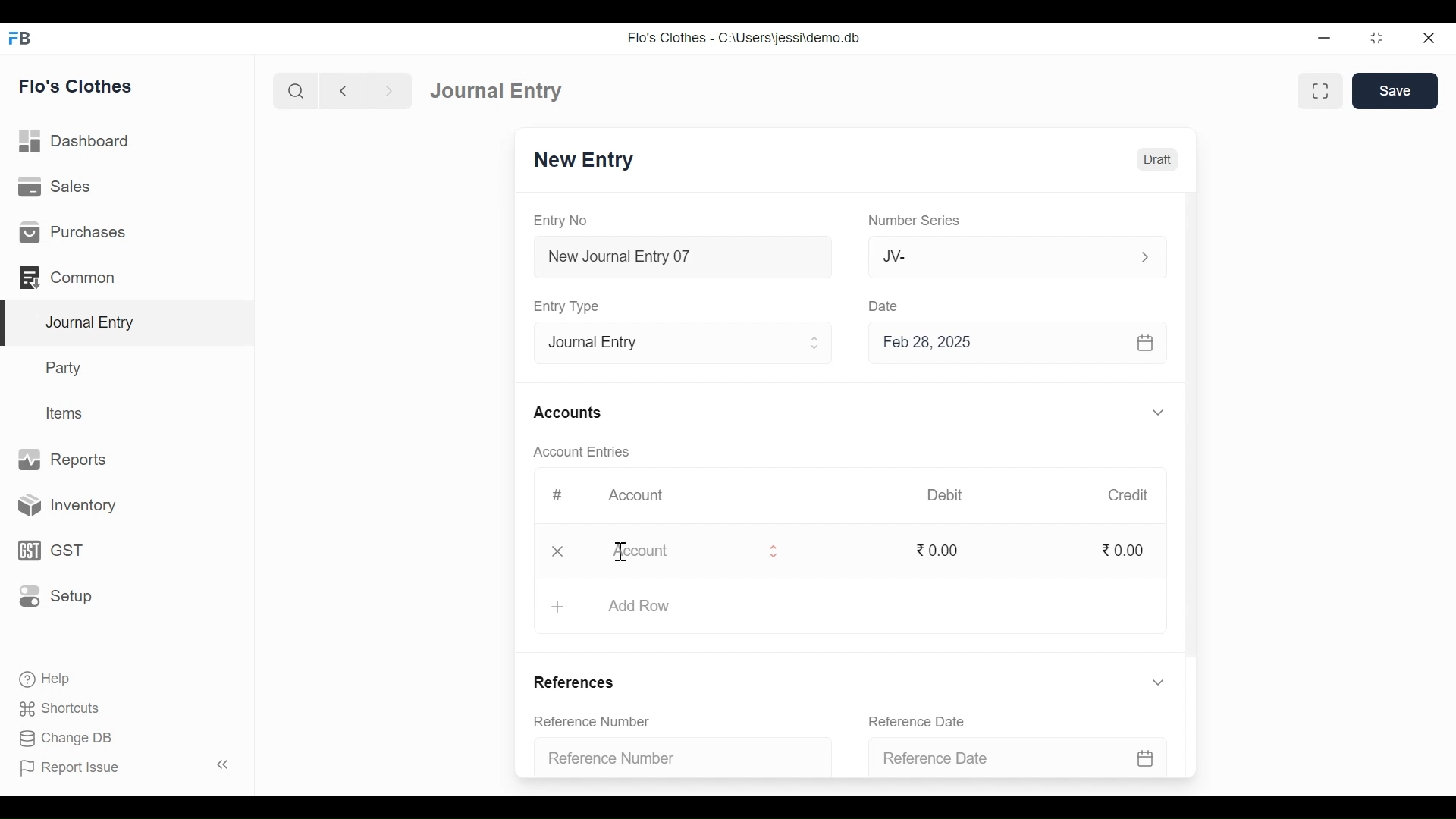  What do you see at coordinates (943, 550) in the screenshot?
I see `0.00` at bounding box center [943, 550].